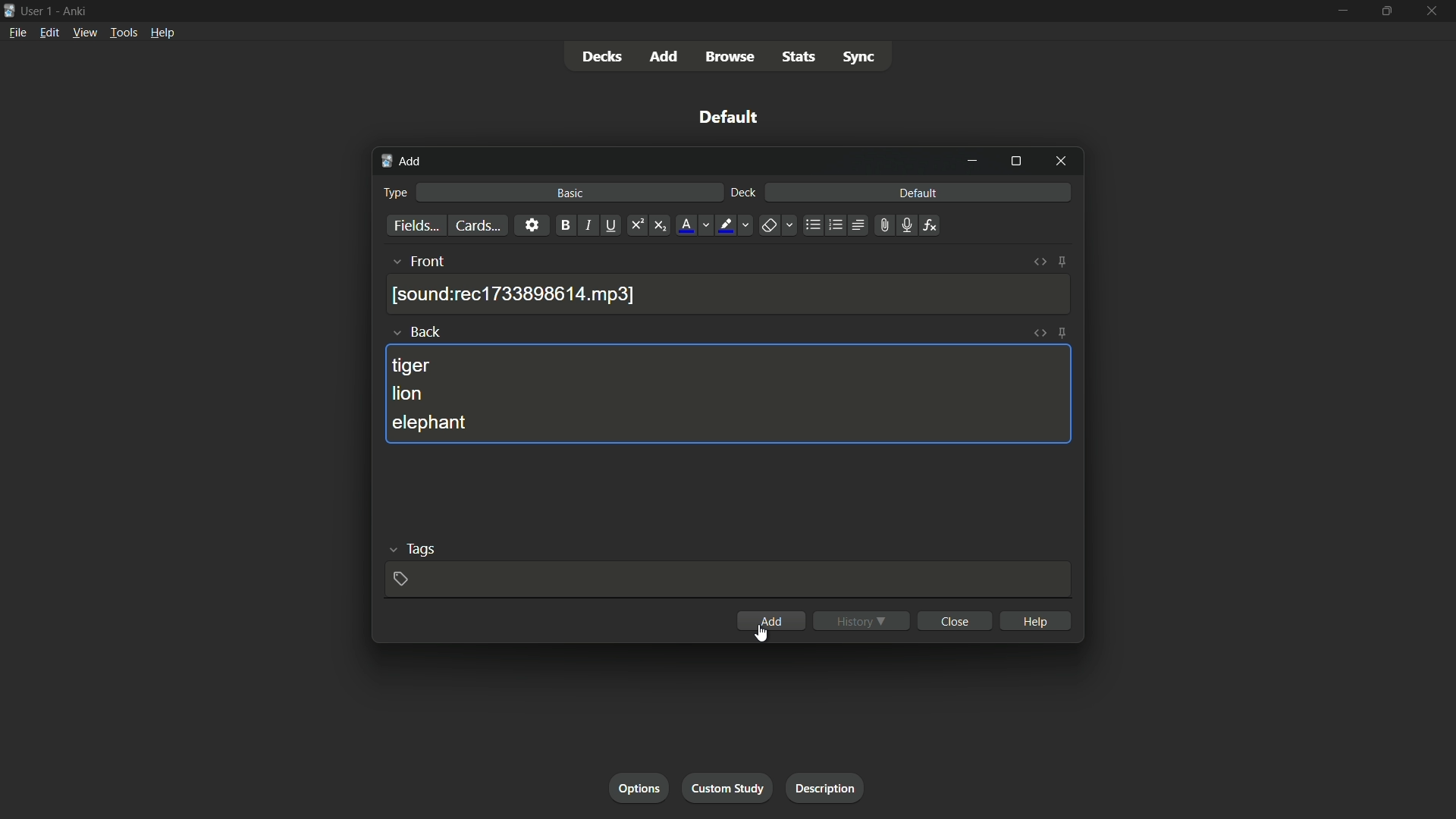  Describe the element at coordinates (1015, 162) in the screenshot. I see `maximize` at that location.